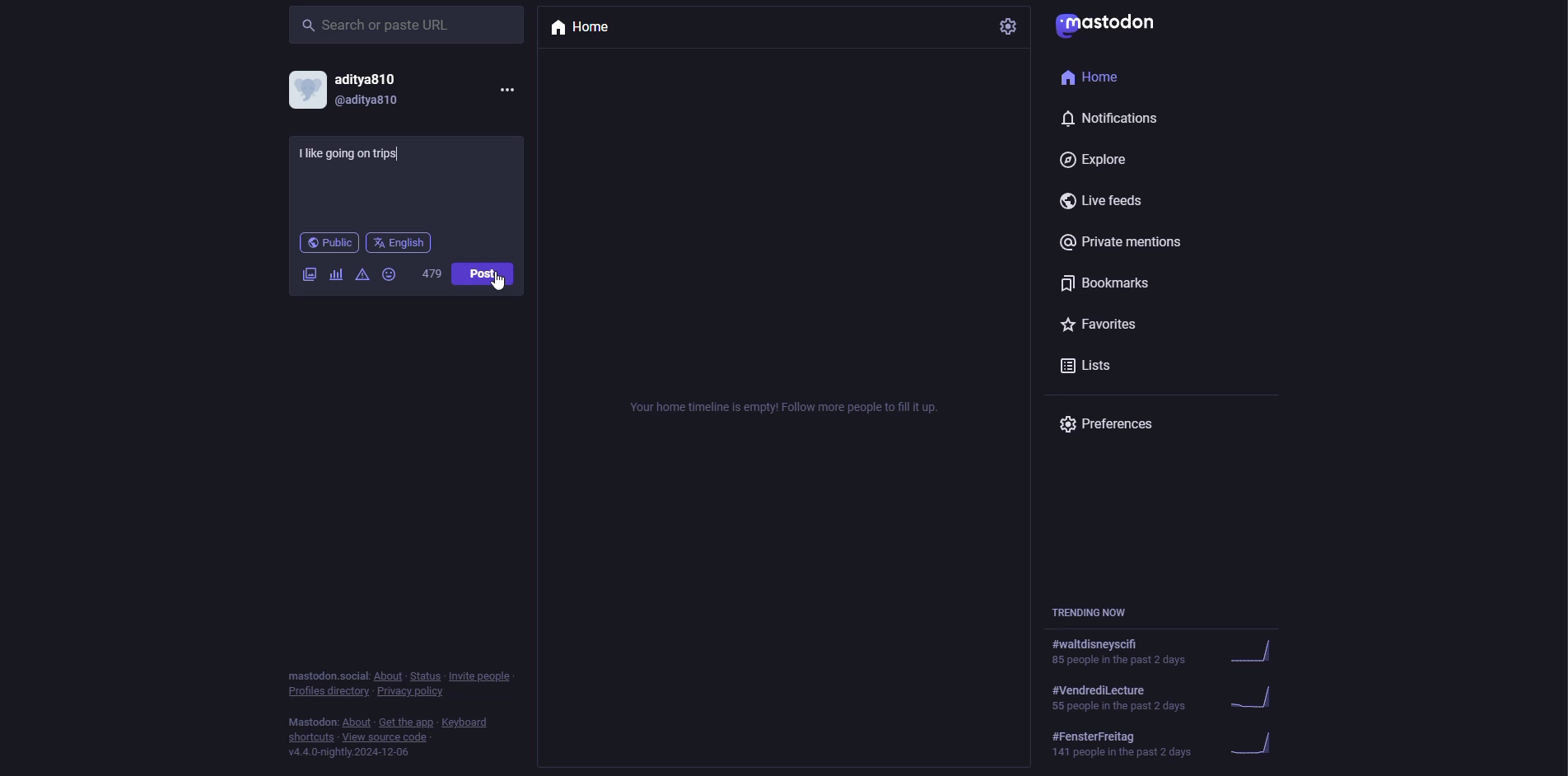  I want to click on empty, so click(786, 404).